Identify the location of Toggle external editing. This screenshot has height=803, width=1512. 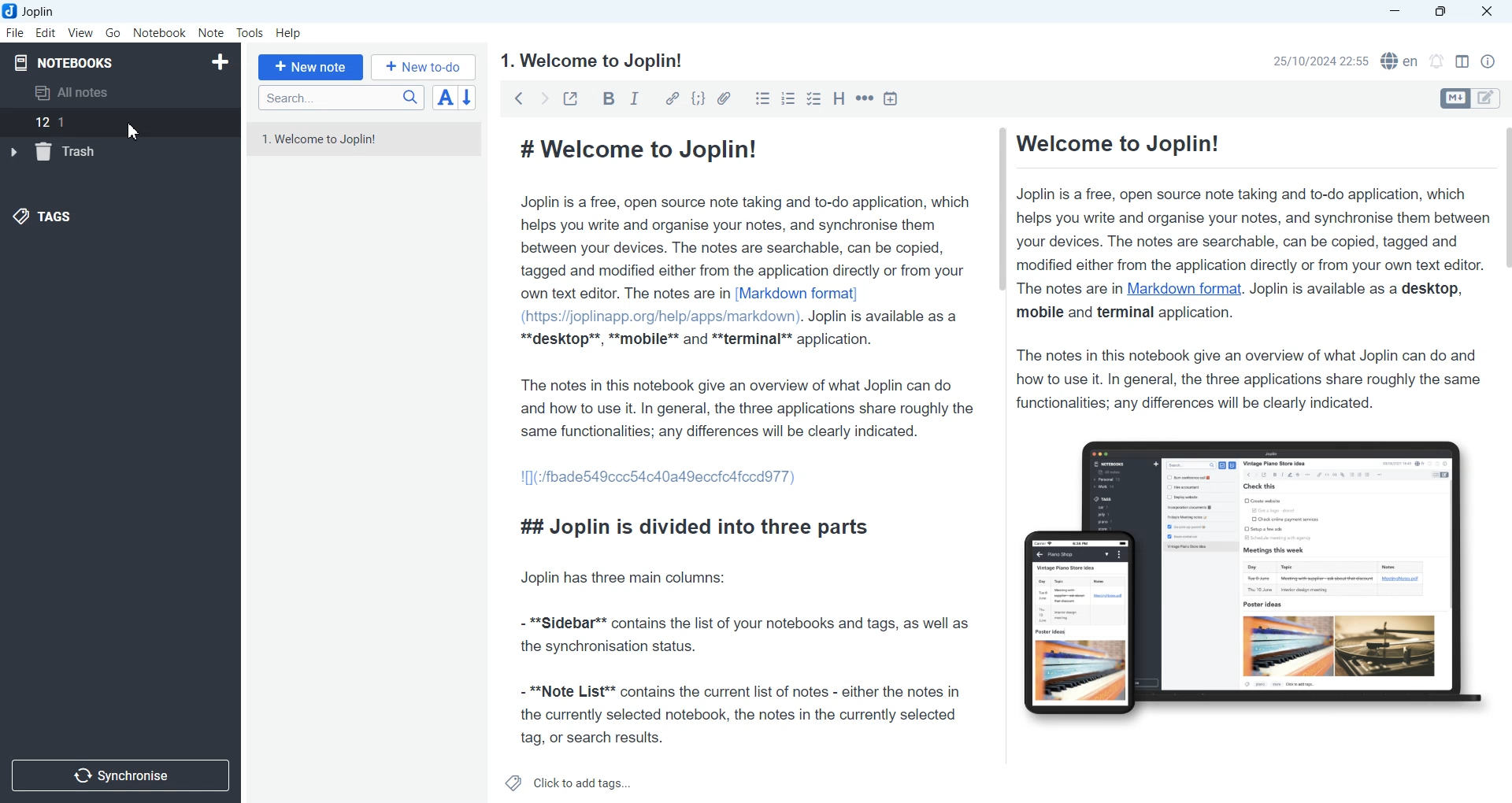
(568, 99).